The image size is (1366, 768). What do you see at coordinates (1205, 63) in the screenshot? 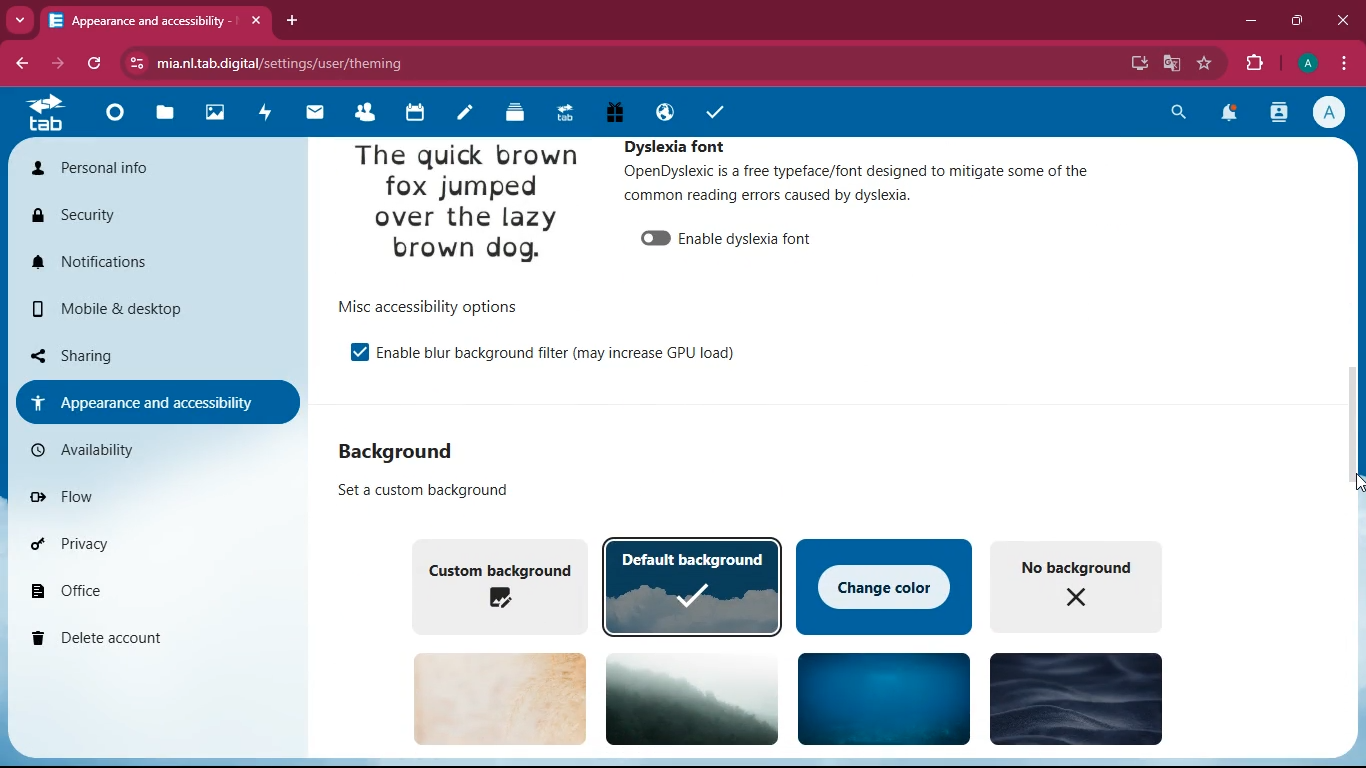
I see `favourite` at bounding box center [1205, 63].